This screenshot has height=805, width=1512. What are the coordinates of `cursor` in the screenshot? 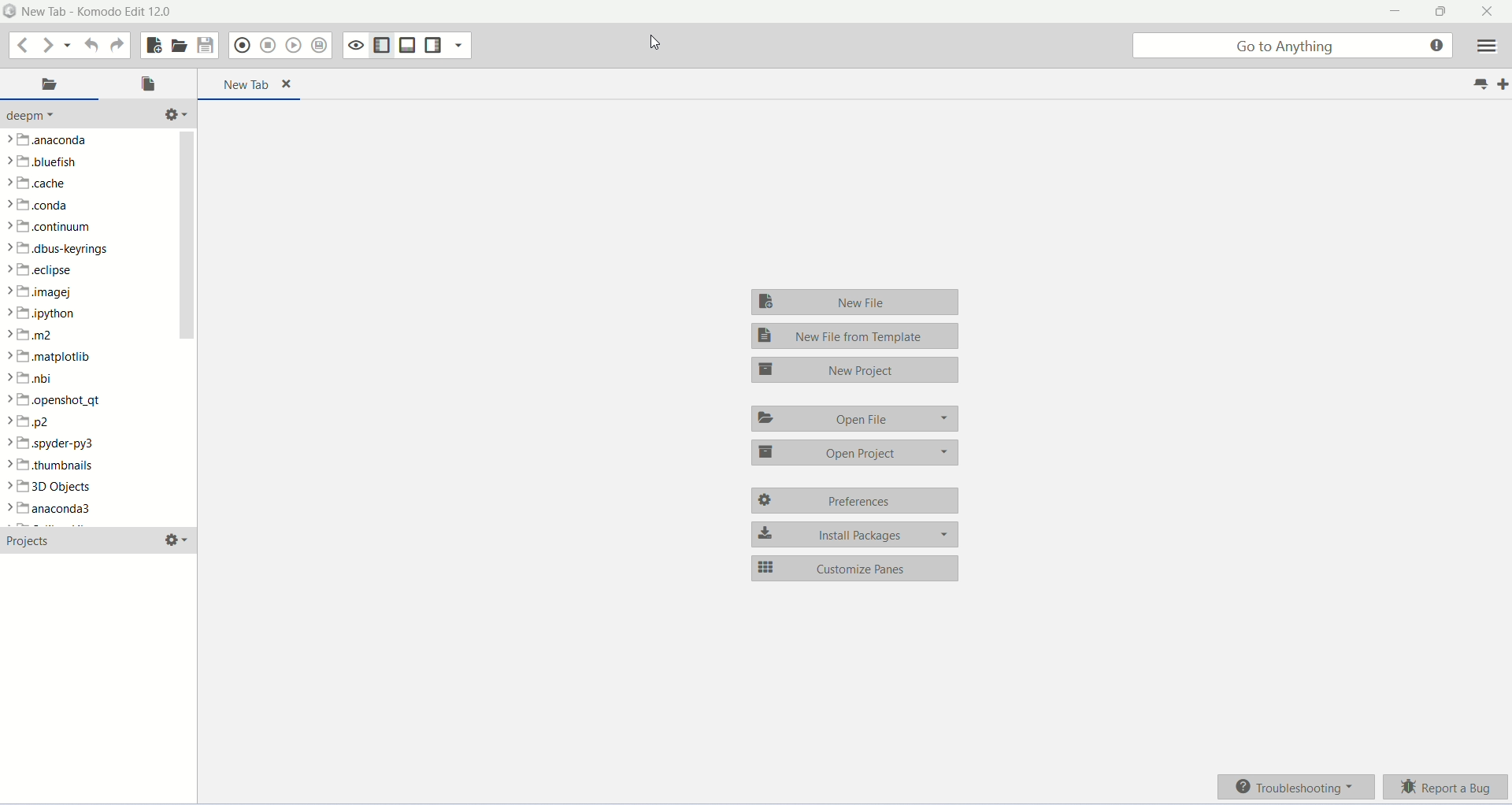 It's located at (660, 43).